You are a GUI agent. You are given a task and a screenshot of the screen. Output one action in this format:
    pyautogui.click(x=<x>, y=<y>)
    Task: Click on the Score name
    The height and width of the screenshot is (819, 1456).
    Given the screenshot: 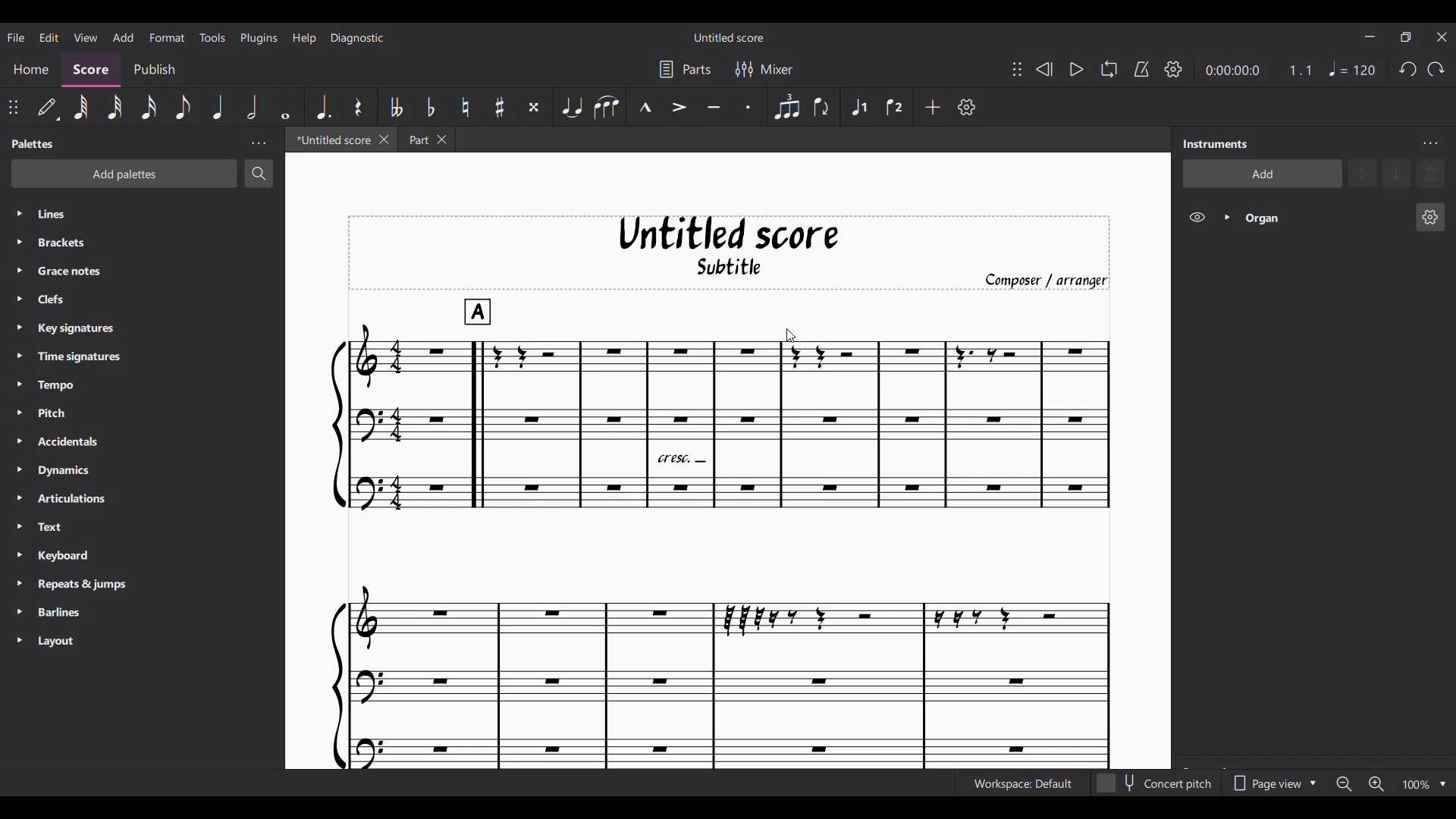 What is the action you would take?
    pyautogui.click(x=730, y=36)
    